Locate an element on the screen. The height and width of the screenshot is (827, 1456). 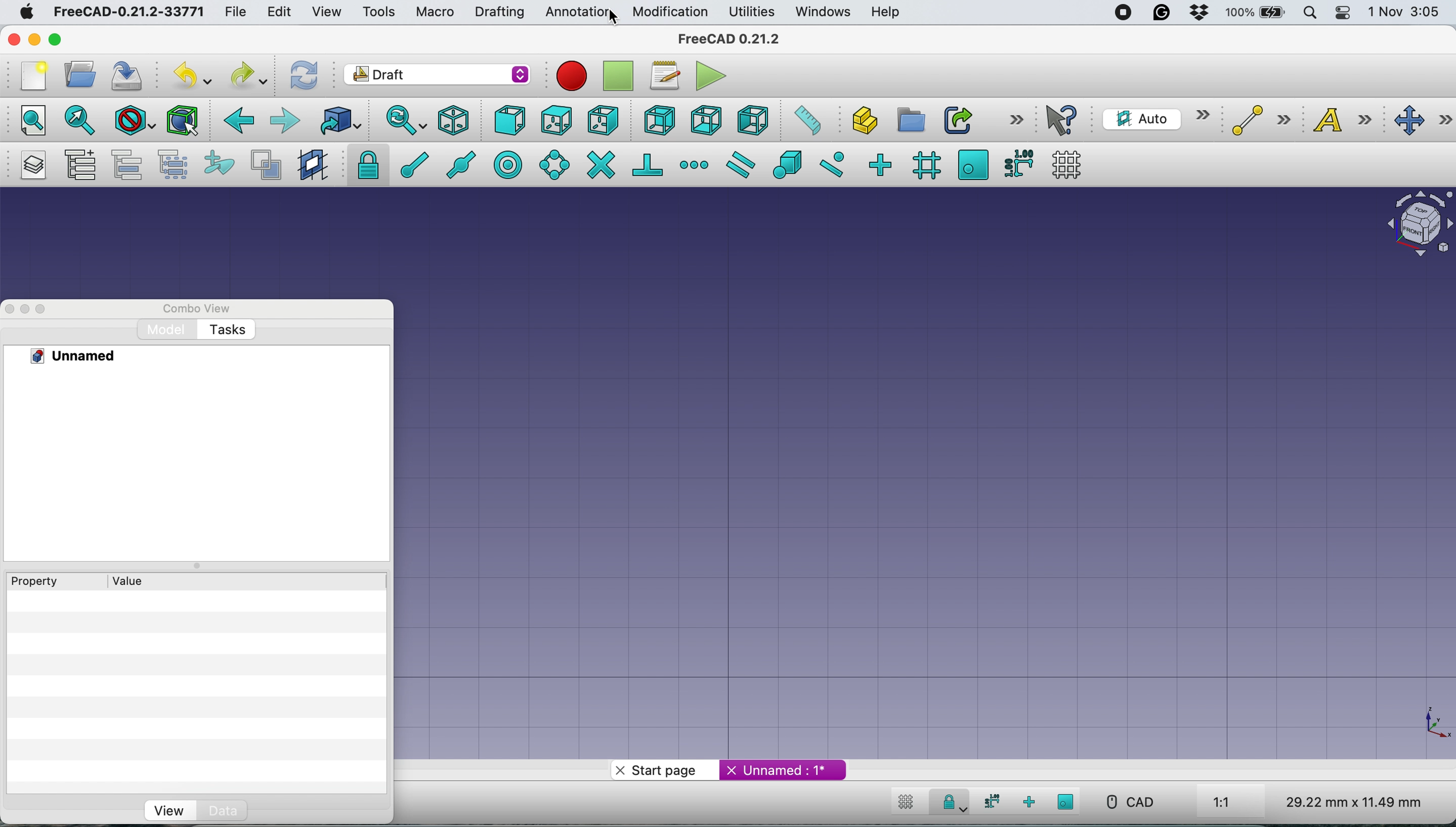
object interface is located at coordinates (1415, 222).